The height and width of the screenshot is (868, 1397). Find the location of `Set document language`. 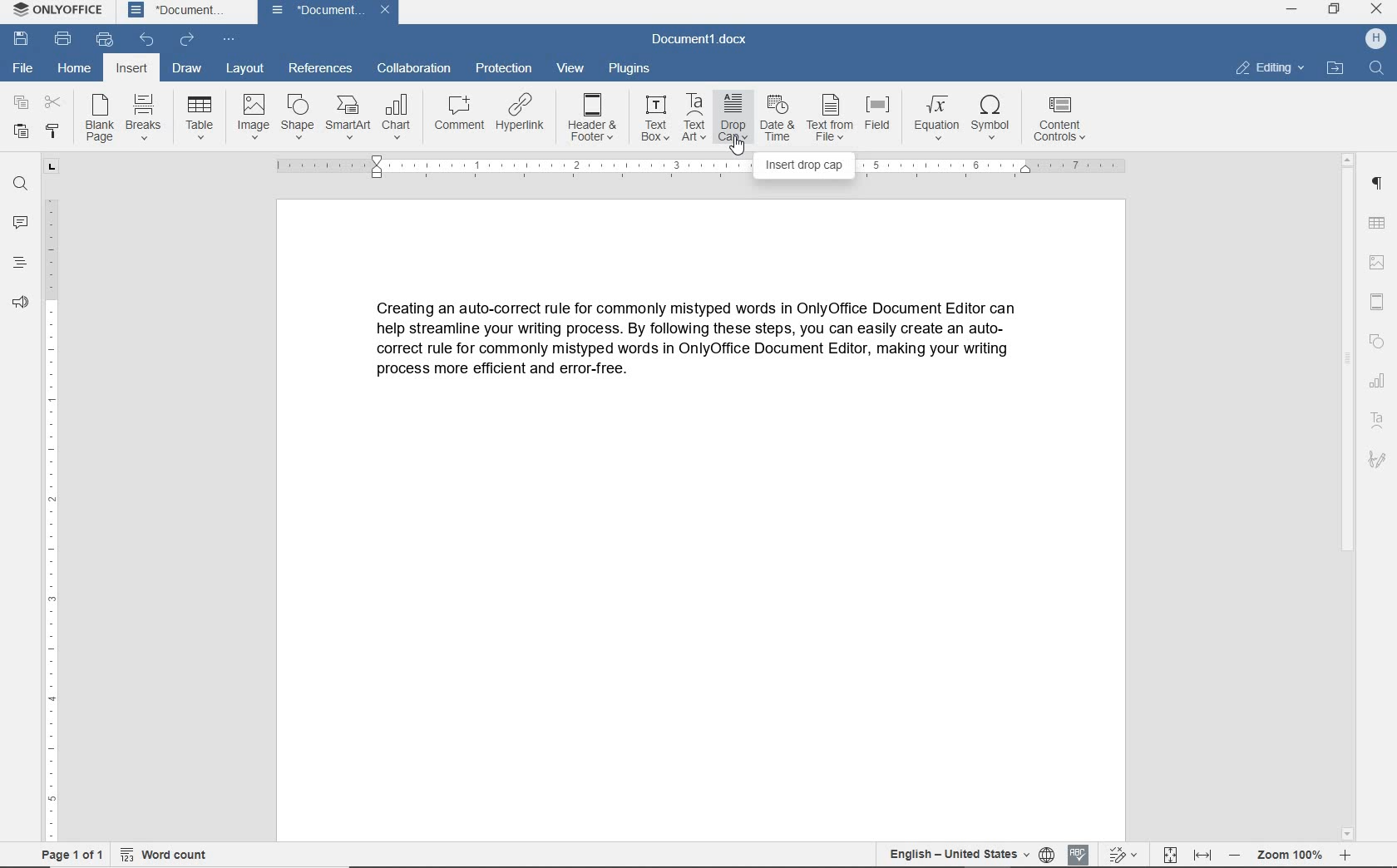

Set document language is located at coordinates (1049, 852).